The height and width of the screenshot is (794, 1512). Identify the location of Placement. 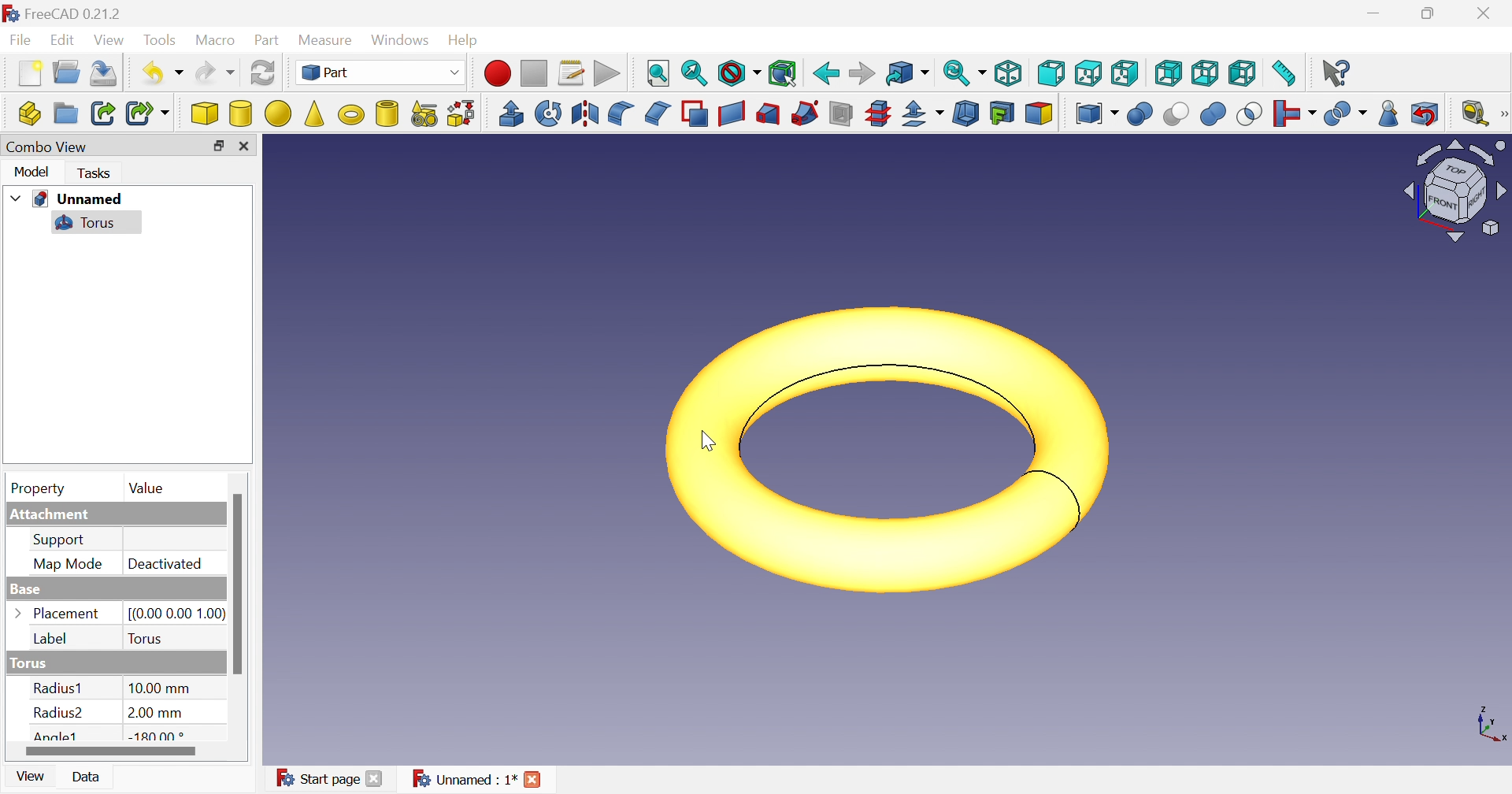
(67, 615).